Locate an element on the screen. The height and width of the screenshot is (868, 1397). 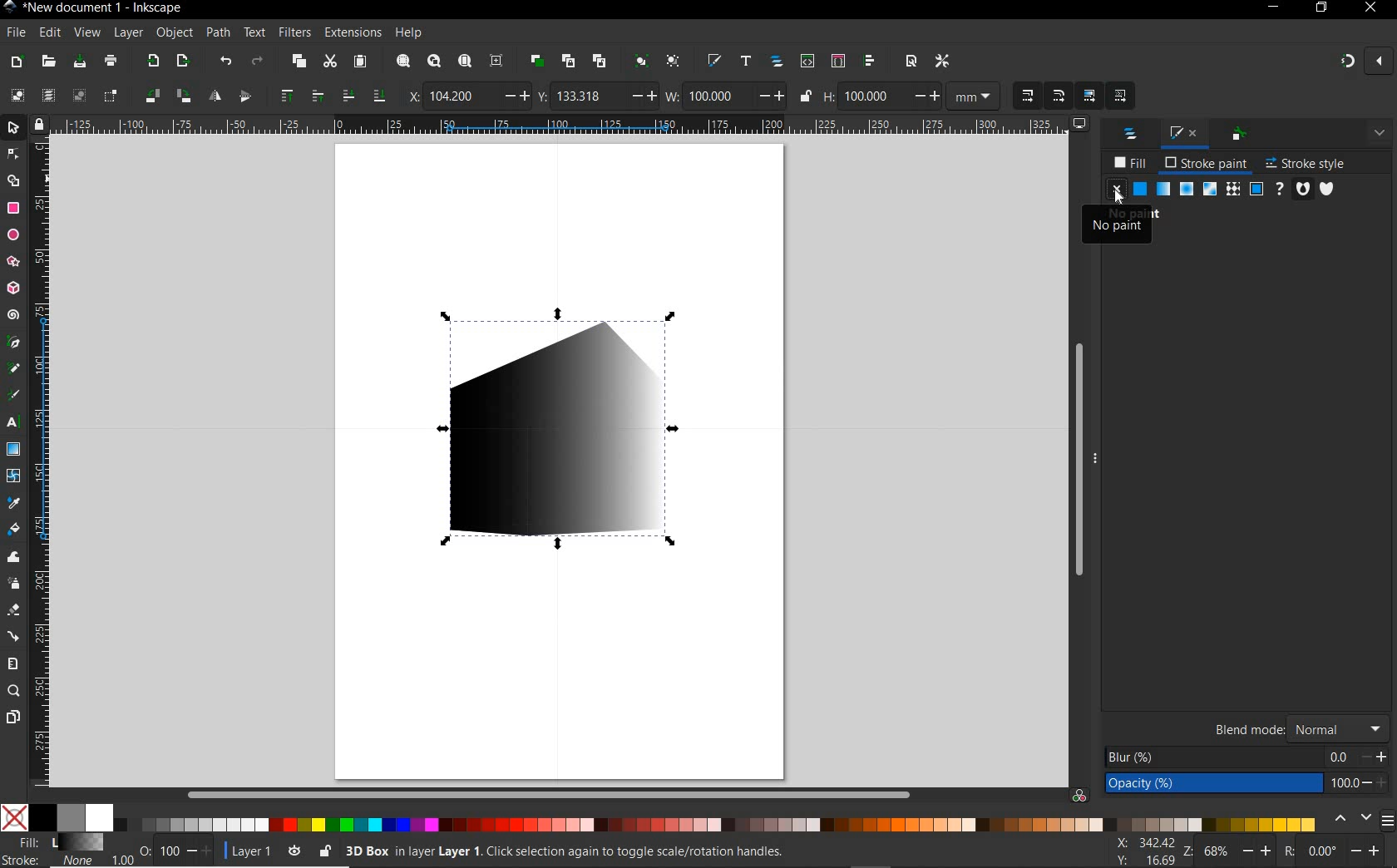
increase/decrease is located at coordinates (924, 95).